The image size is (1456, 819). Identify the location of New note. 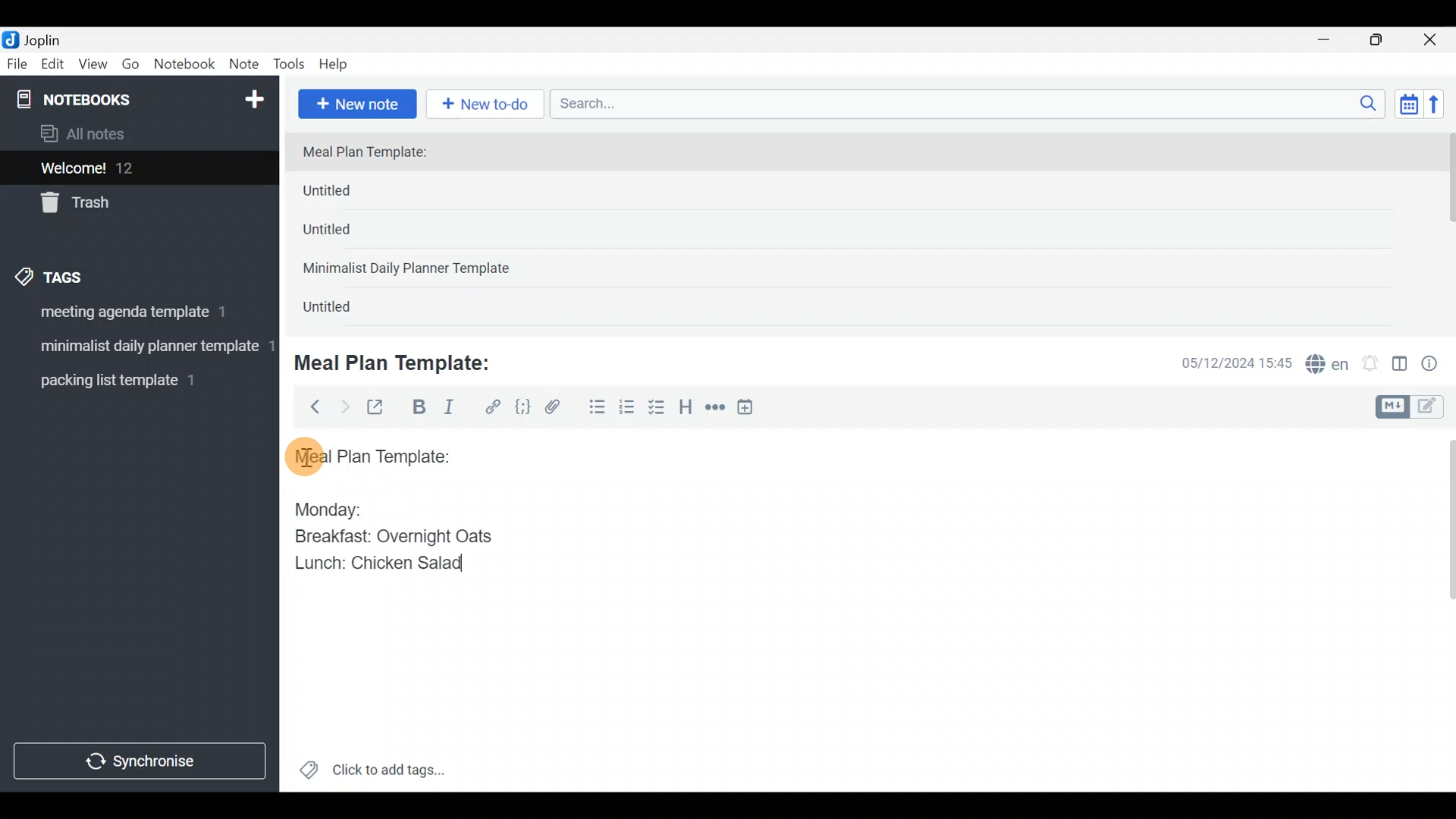
(356, 102).